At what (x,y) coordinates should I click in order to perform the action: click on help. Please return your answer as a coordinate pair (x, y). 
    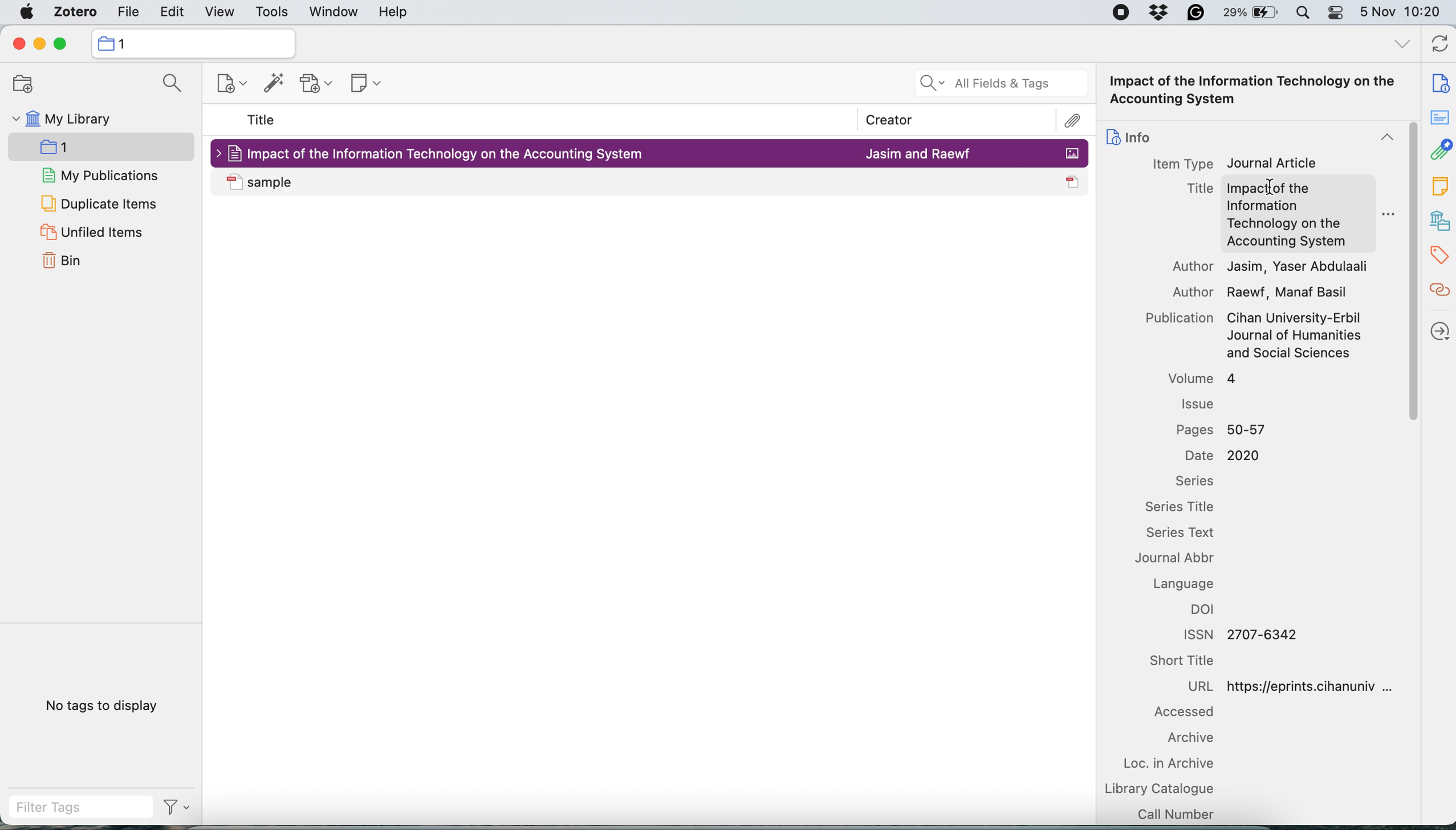
    Looking at the image, I should click on (395, 13).